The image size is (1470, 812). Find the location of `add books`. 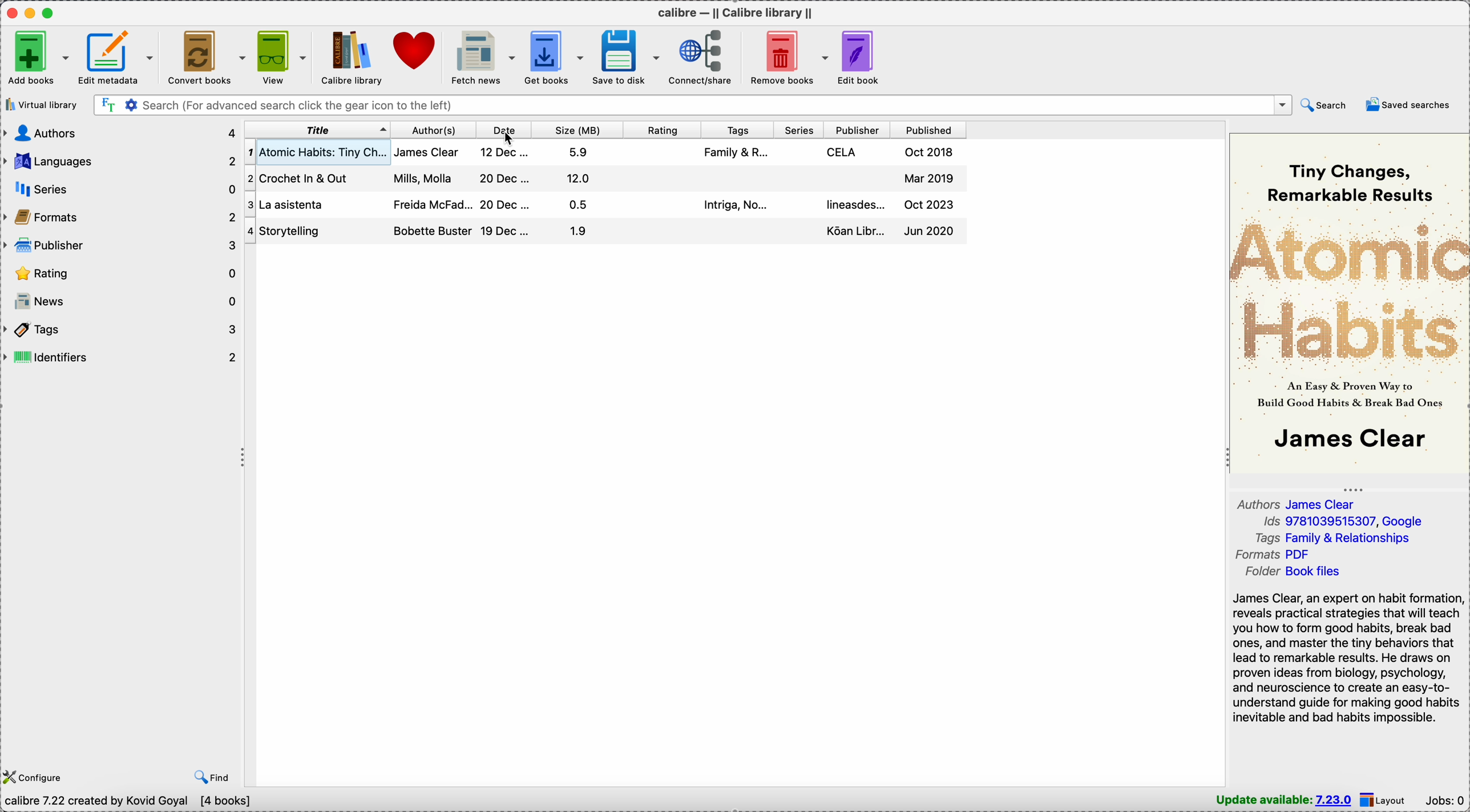

add books is located at coordinates (37, 58).